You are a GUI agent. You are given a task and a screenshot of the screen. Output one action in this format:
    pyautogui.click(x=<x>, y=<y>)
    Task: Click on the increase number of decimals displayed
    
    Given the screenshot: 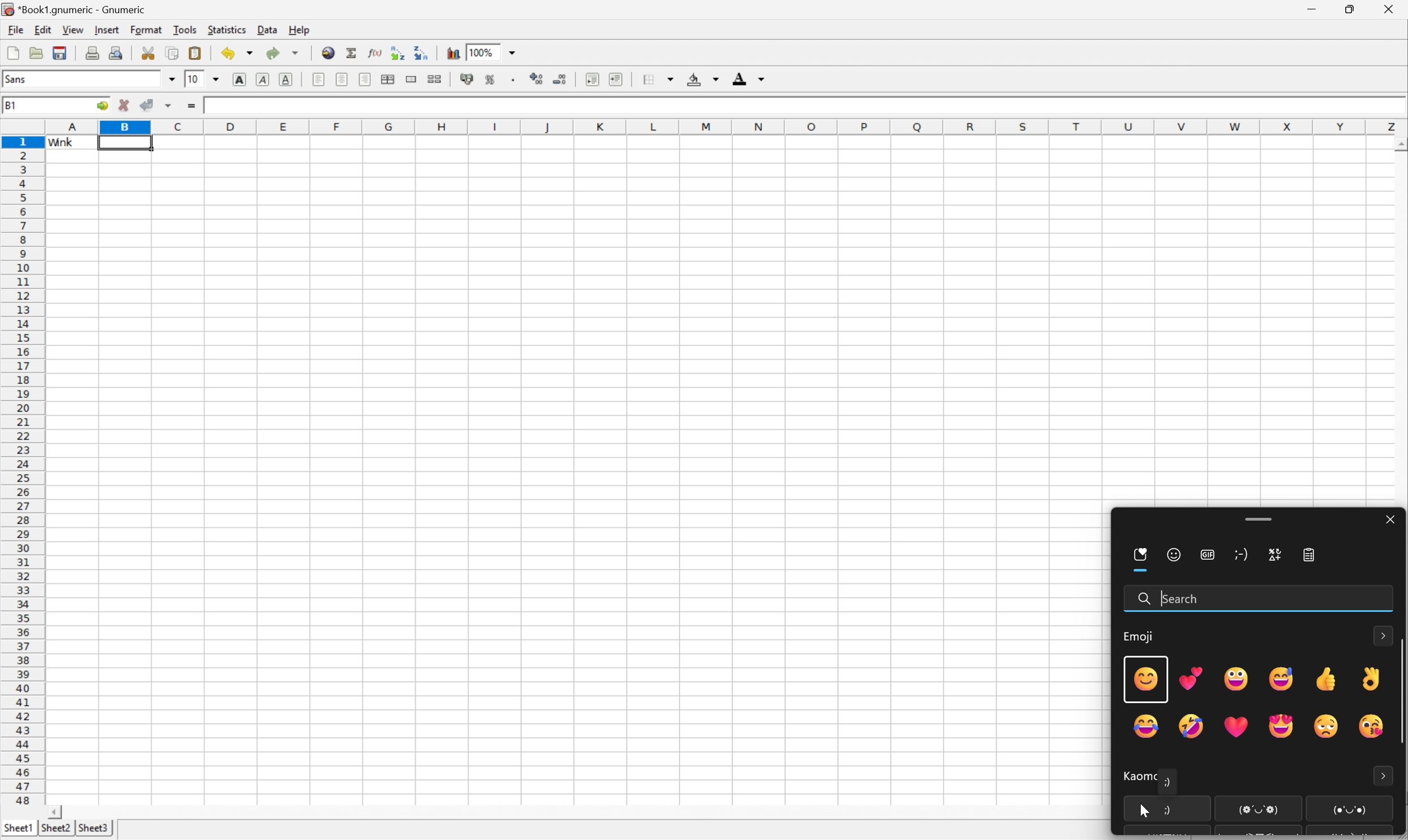 What is the action you would take?
    pyautogui.click(x=533, y=79)
    